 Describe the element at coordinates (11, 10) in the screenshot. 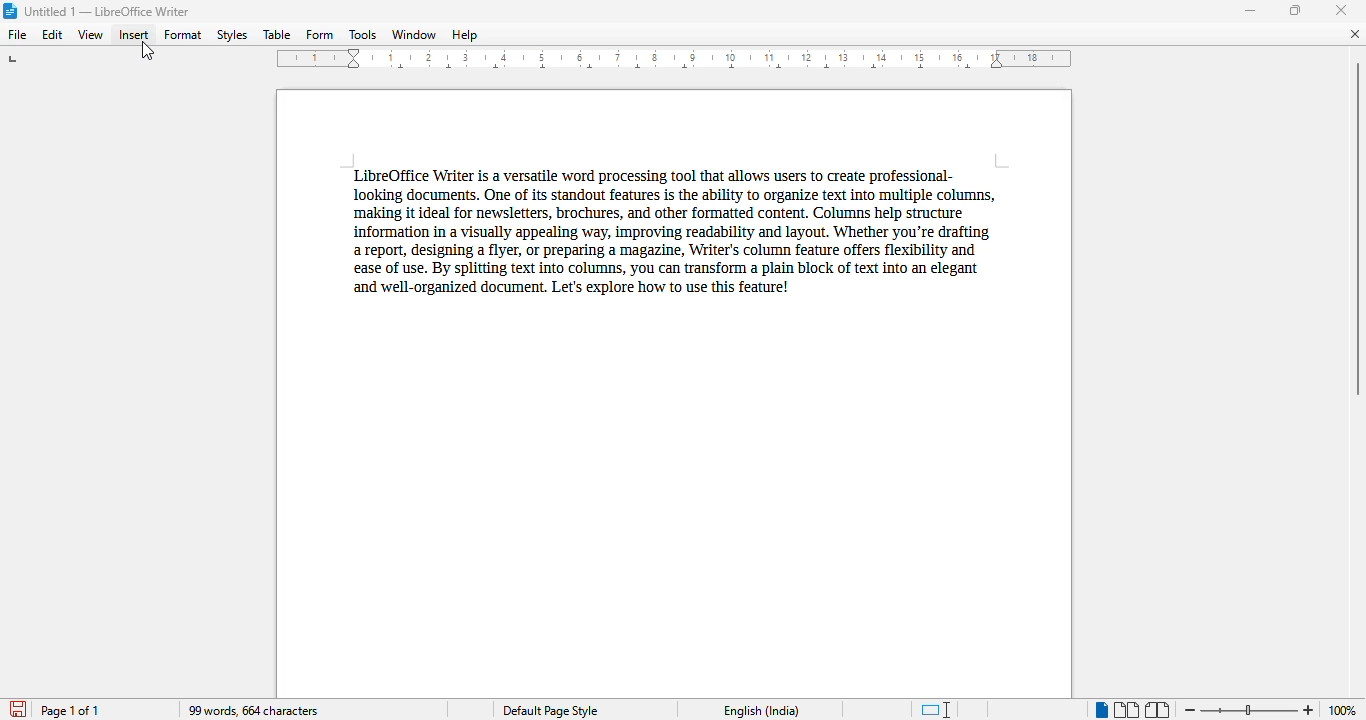

I see `LibreOffice logo` at that location.